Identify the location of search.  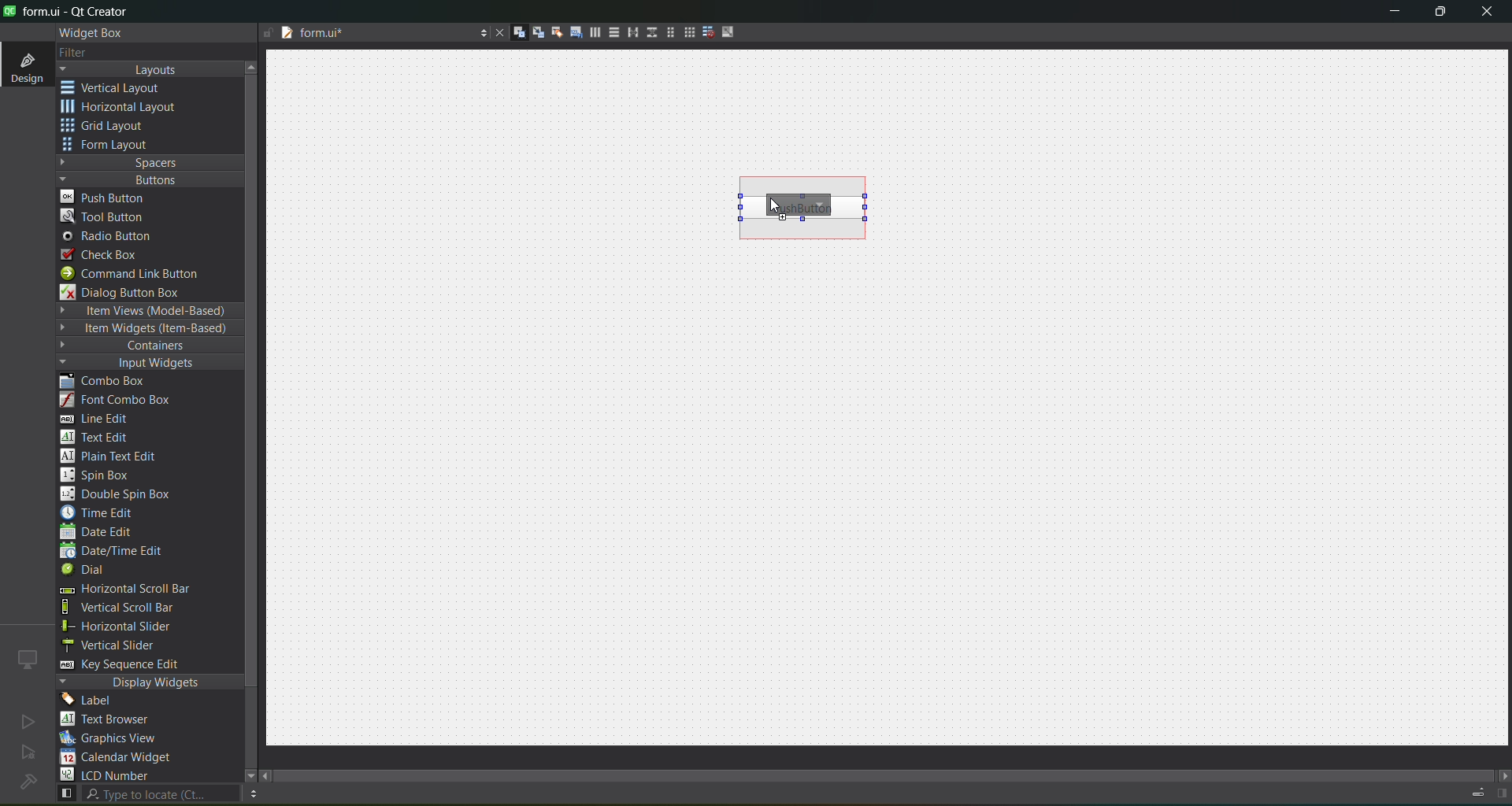
(146, 794).